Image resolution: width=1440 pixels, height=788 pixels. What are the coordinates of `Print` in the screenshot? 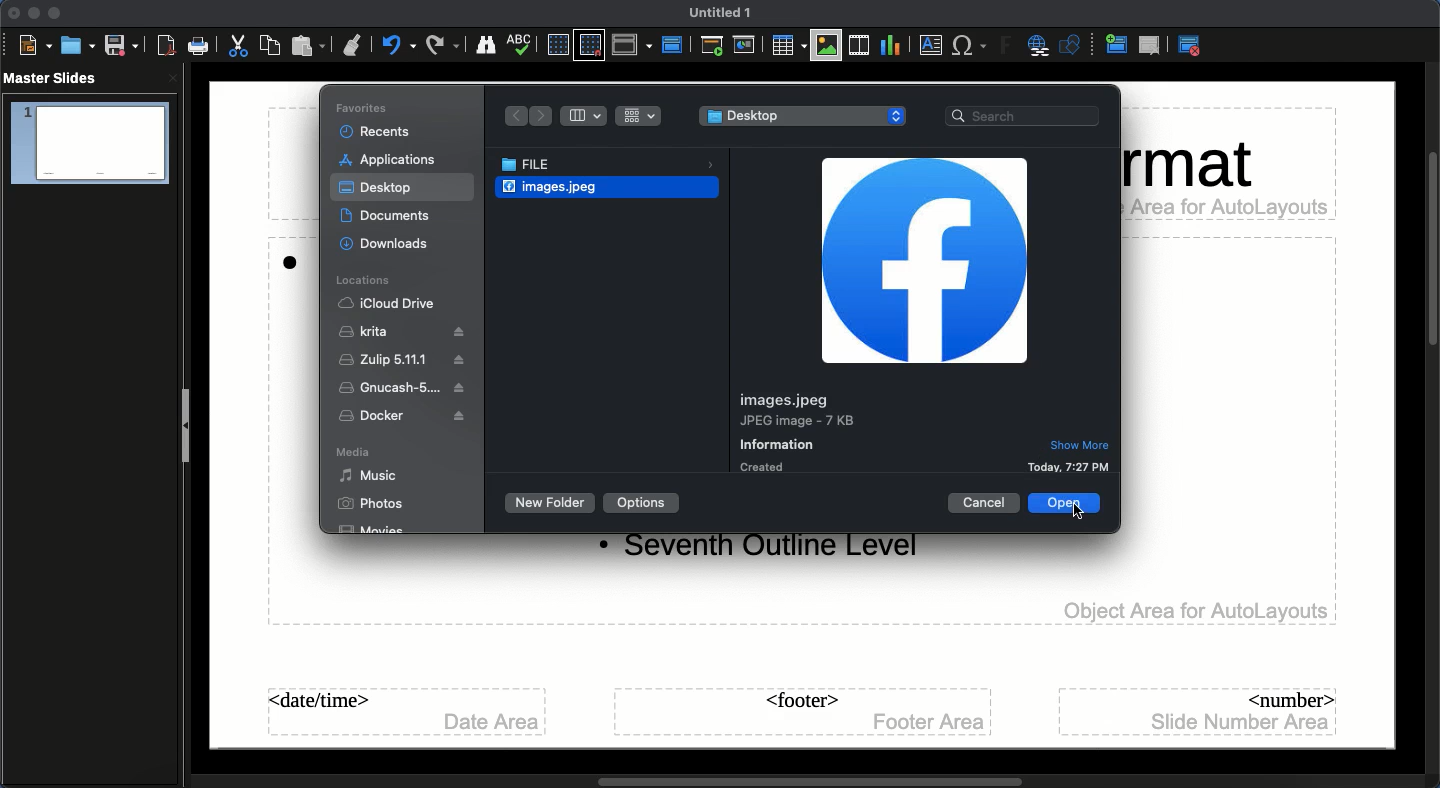 It's located at (199, 46).